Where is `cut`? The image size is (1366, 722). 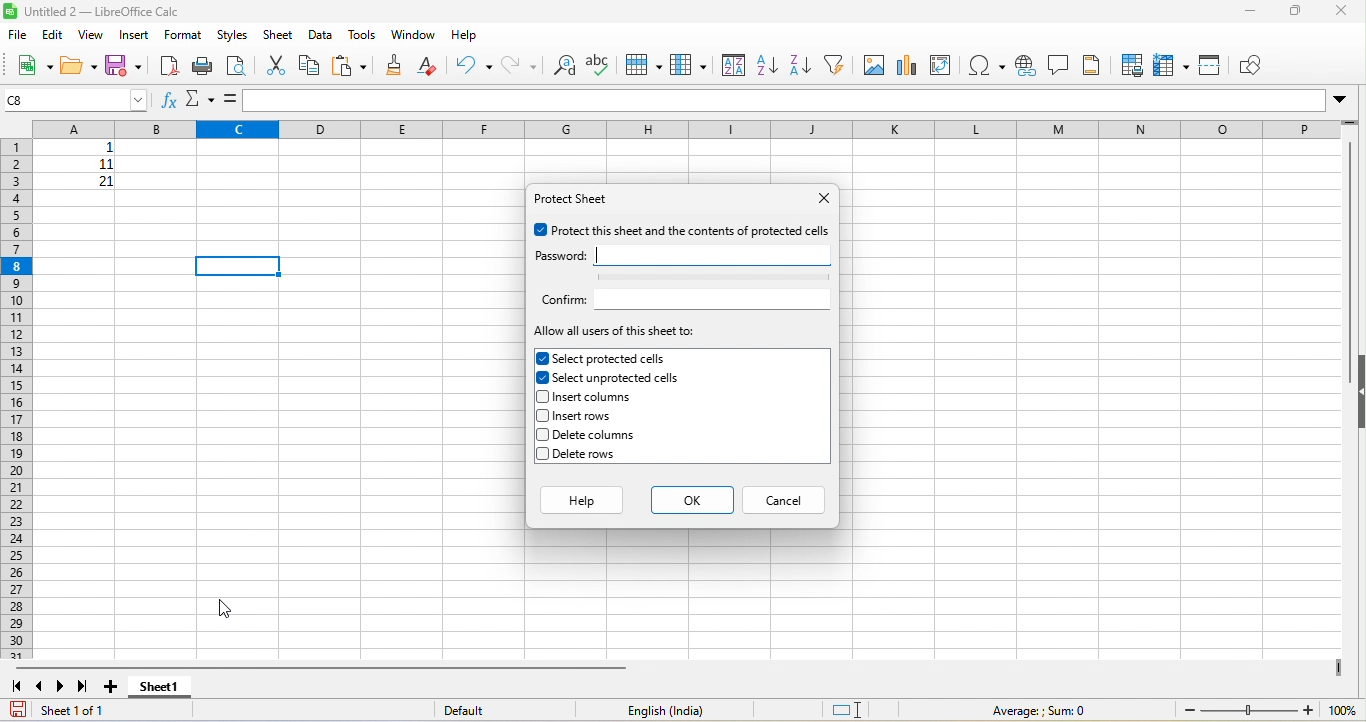 cut is located at coordinates (278, 66).